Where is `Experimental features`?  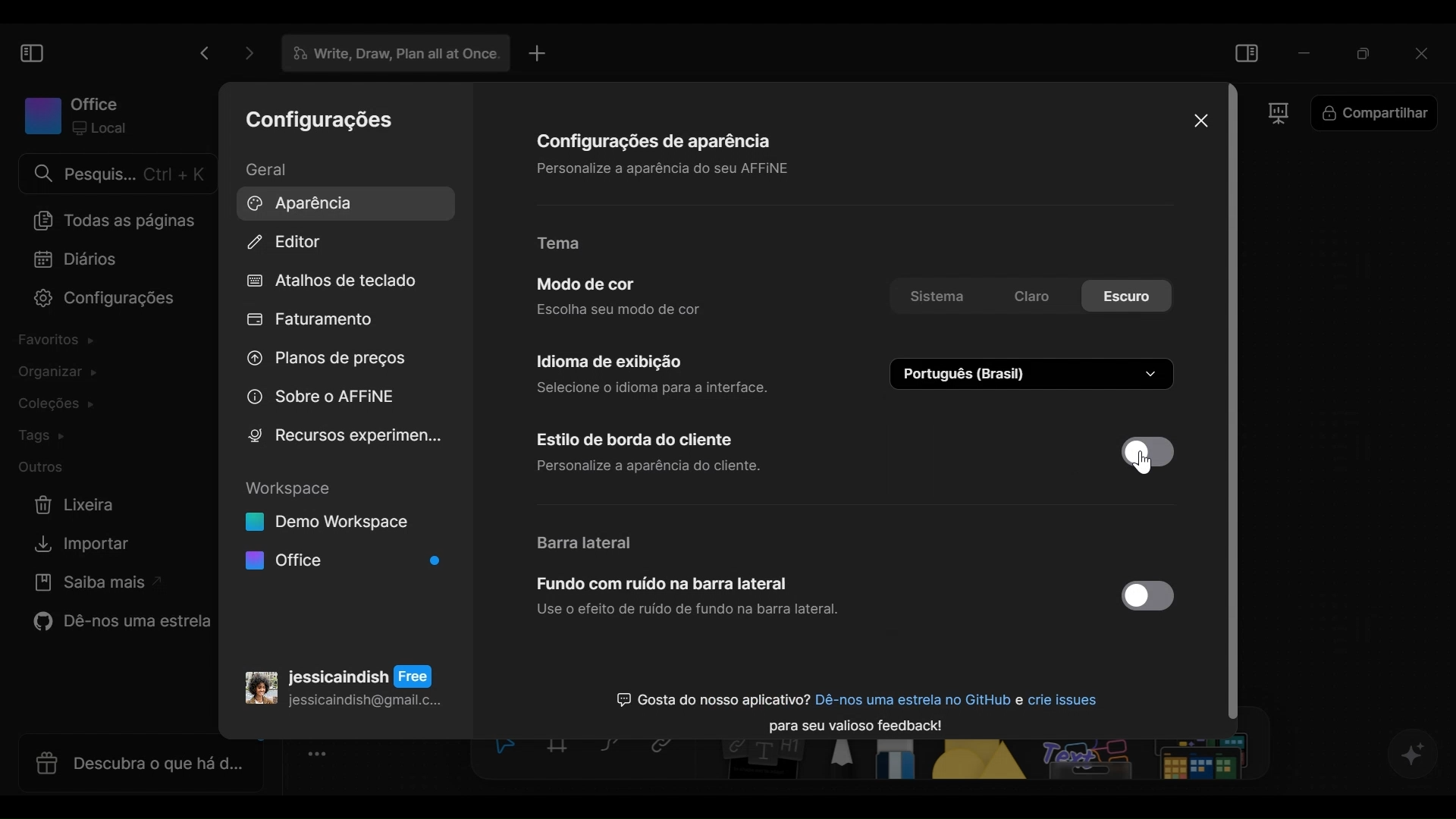
Experimental features is located at coordinates (344, 435).